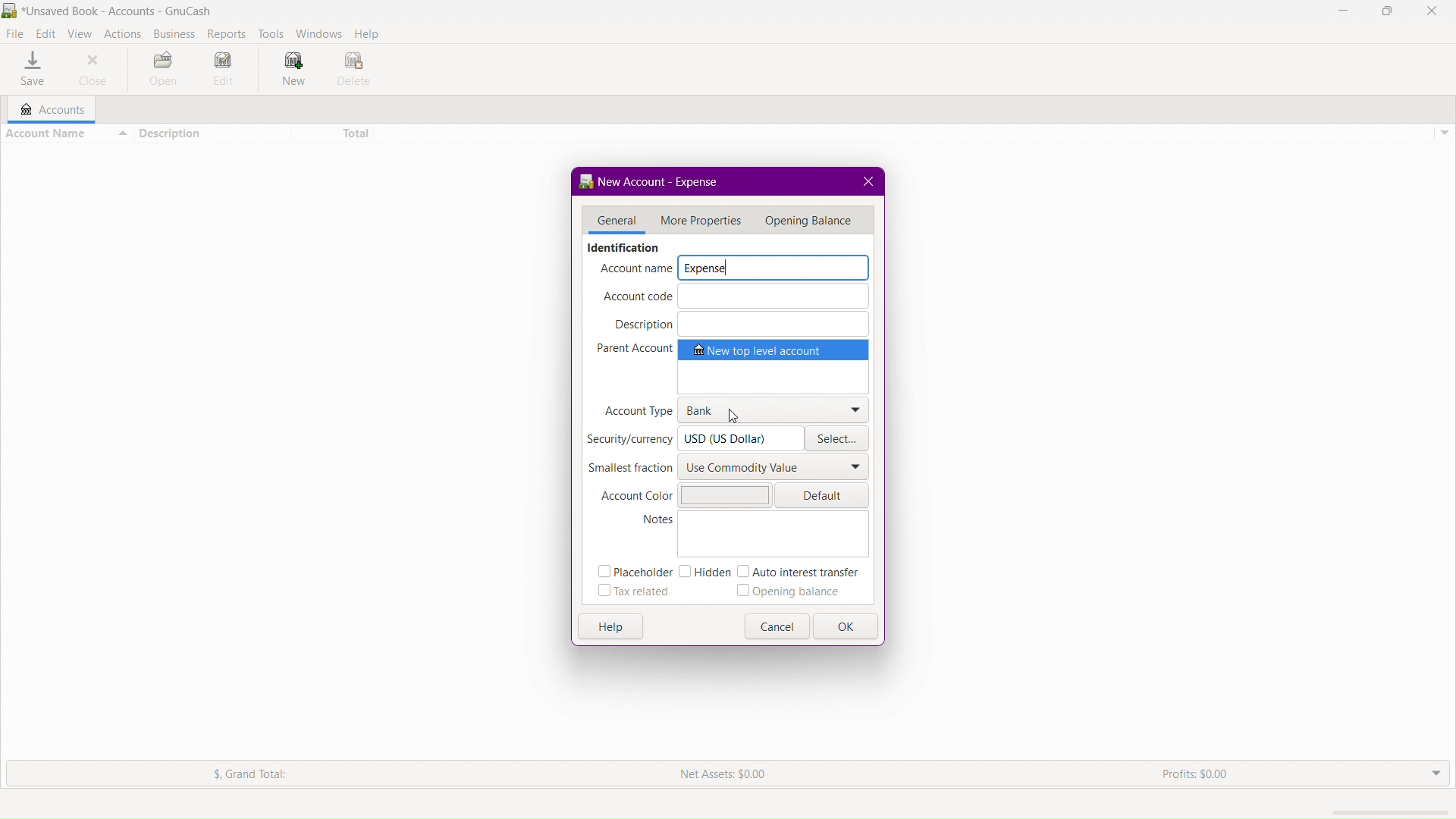 The image size is (1456, 819). Describe the element at coordinates (839, 441) in the screenshot. I see `Select` at that location.